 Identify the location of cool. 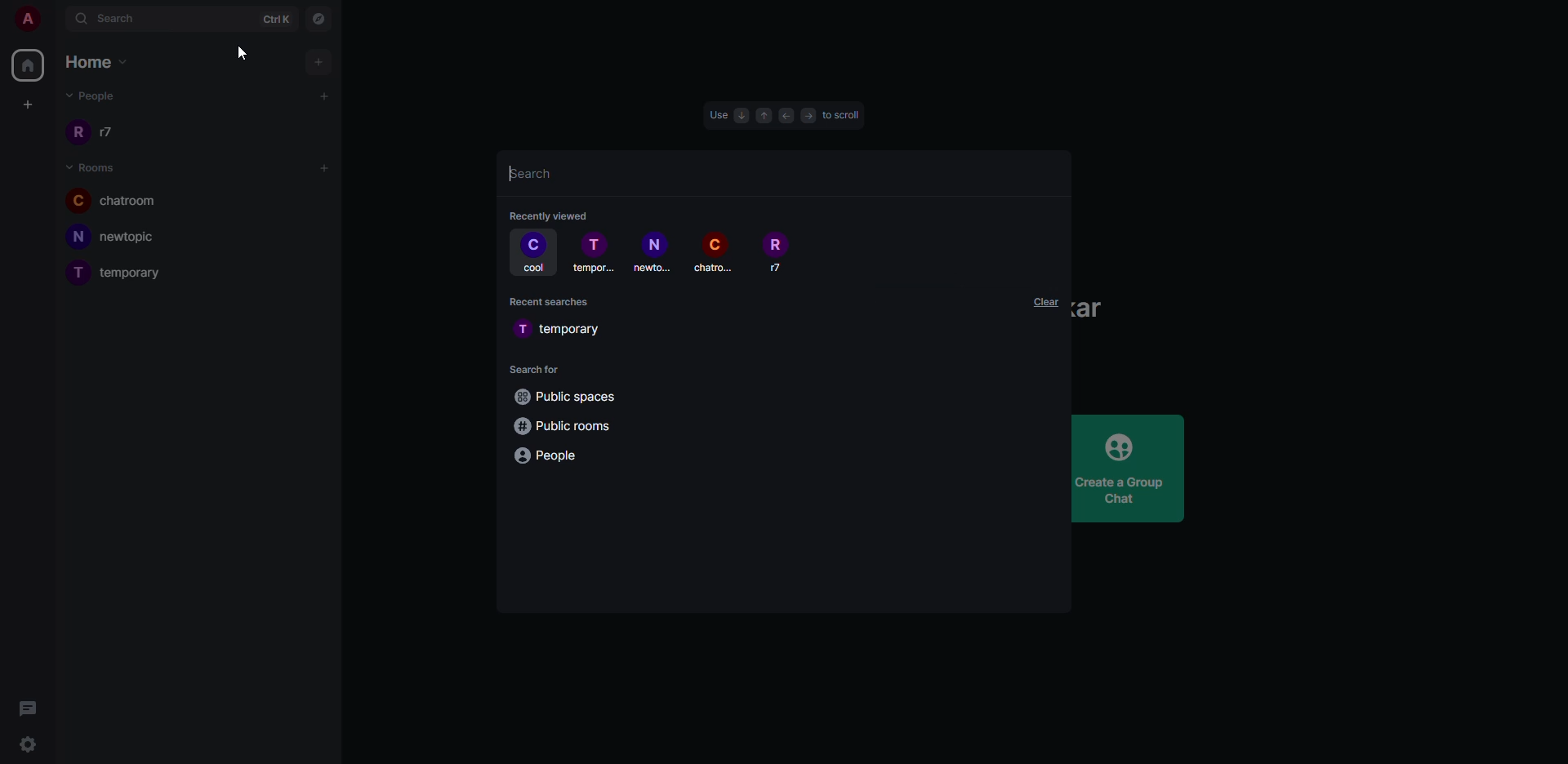
(532, 253).